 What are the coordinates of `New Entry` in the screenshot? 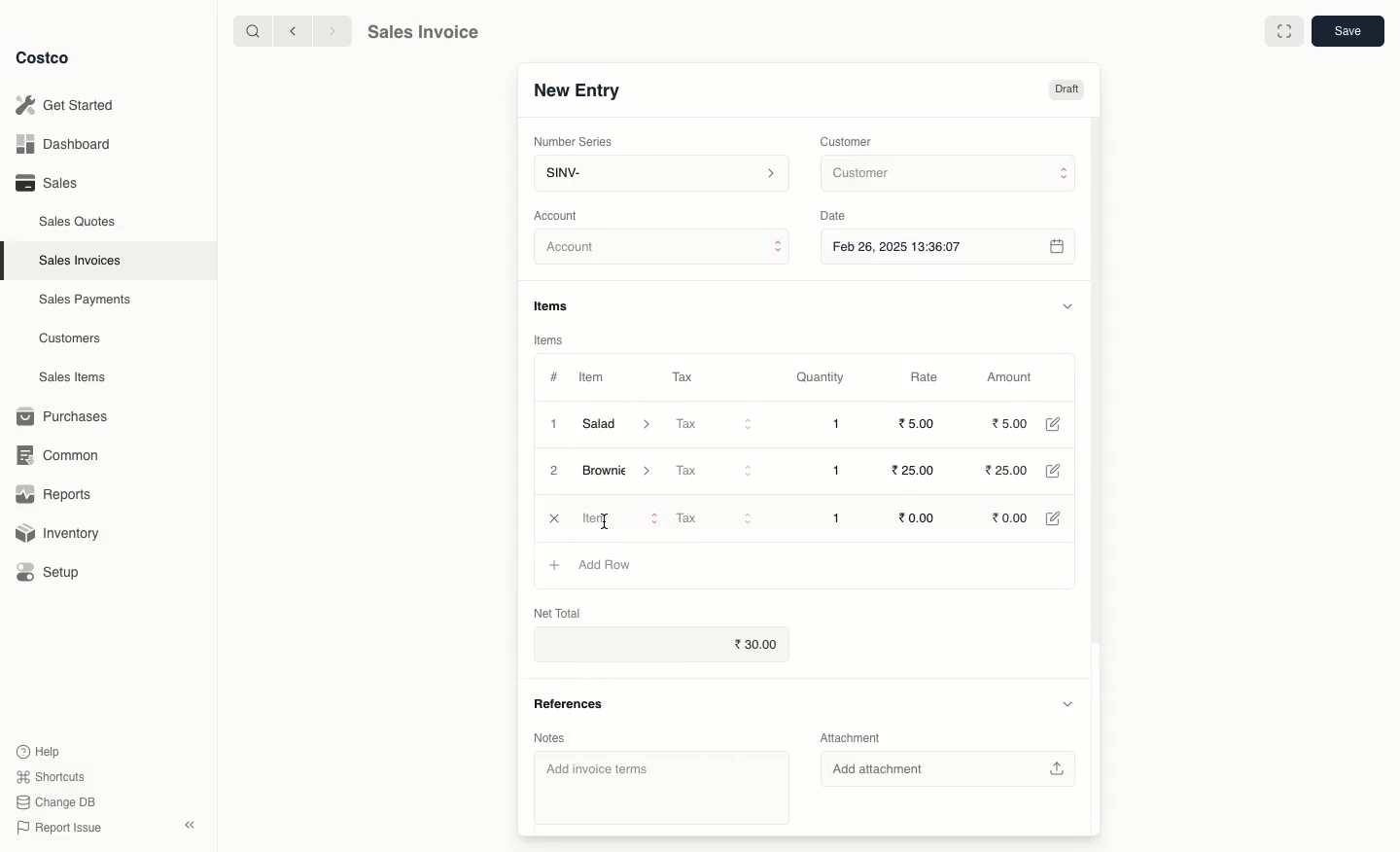 It's located at (576, 89).